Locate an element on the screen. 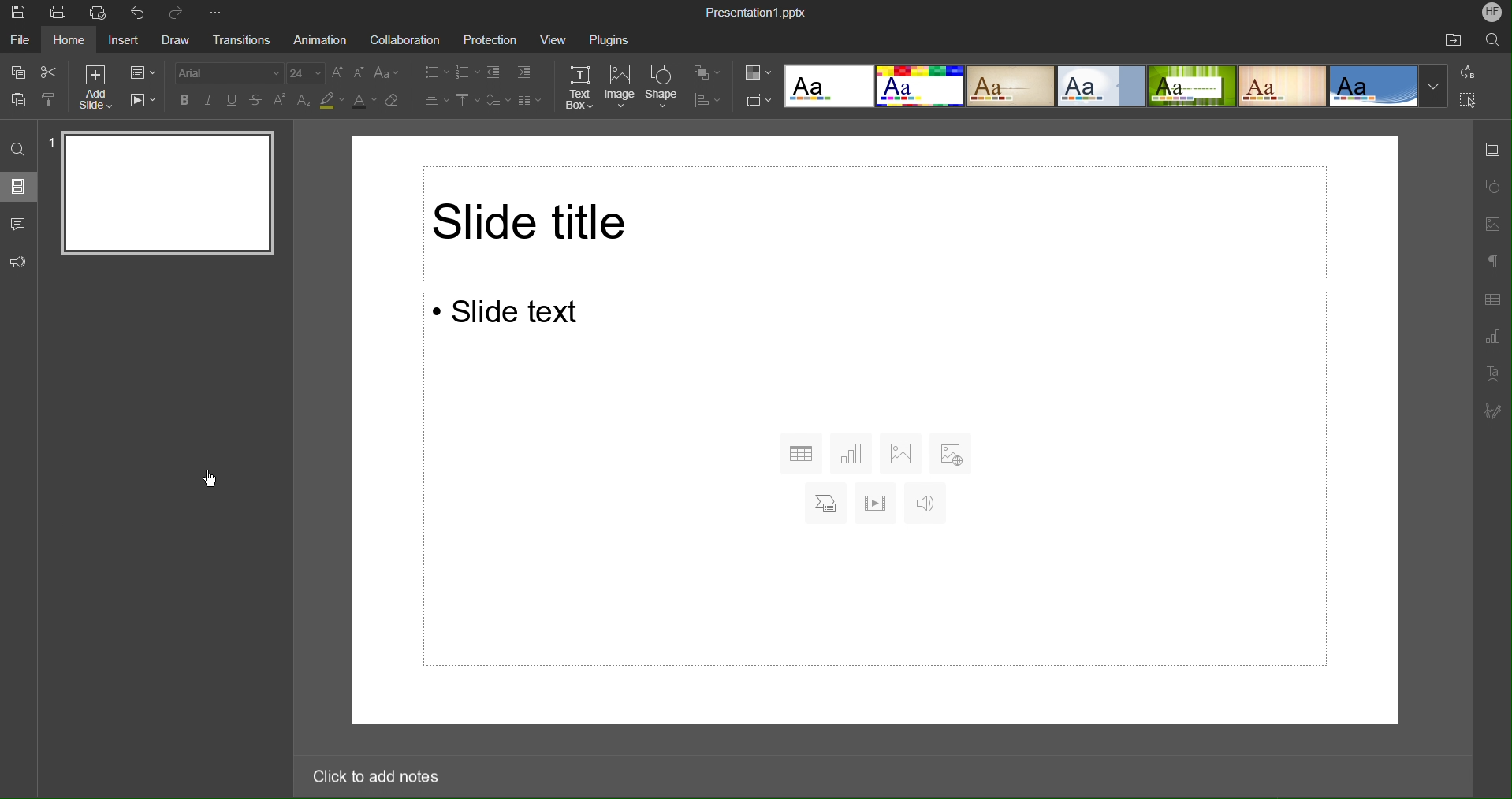 The height and width of the screenshot is (799, 1512). Distribute is located at coordinates (706, 98).